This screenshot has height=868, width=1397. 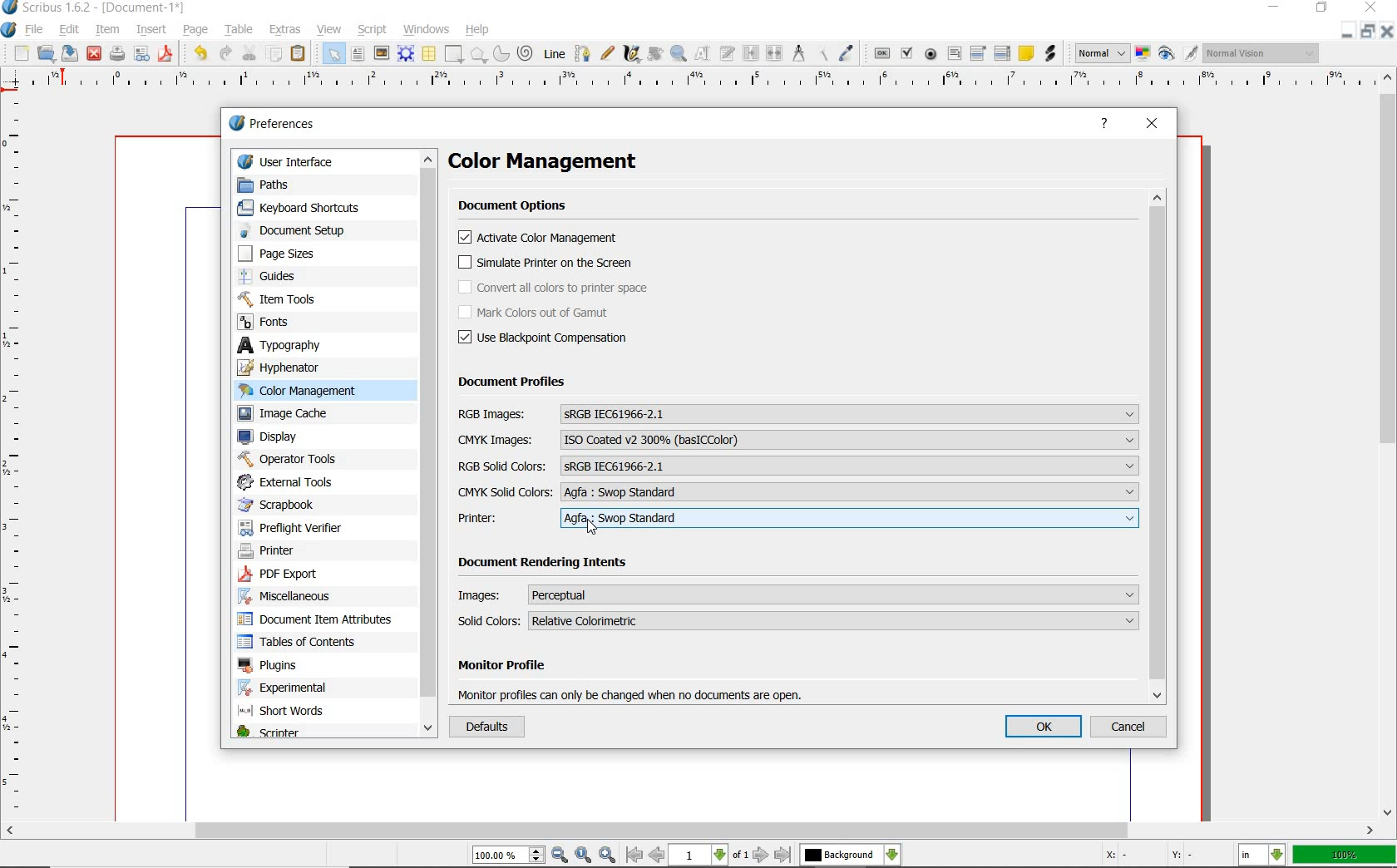 I want to click on image cache, so click(x=302, y=415).